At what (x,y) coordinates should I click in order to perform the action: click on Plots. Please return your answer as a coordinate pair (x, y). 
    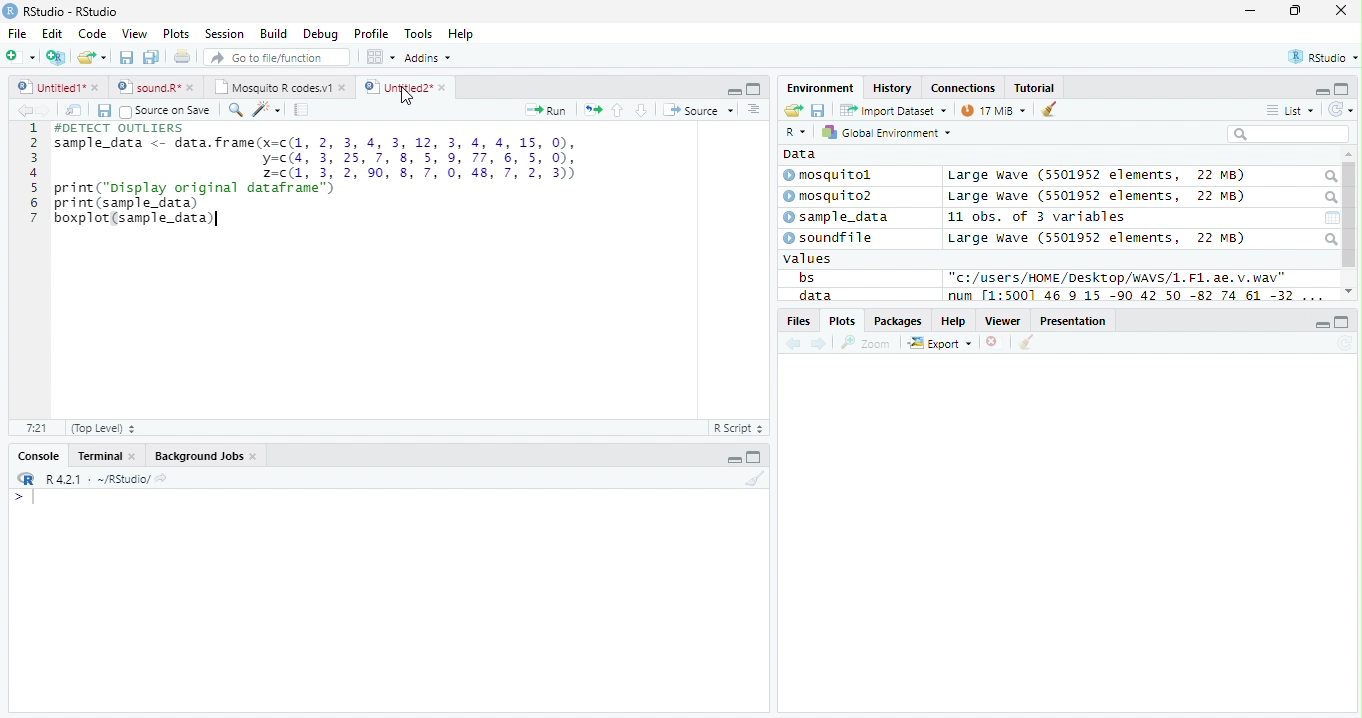
    Looking at the image, I should click on (841, 321).